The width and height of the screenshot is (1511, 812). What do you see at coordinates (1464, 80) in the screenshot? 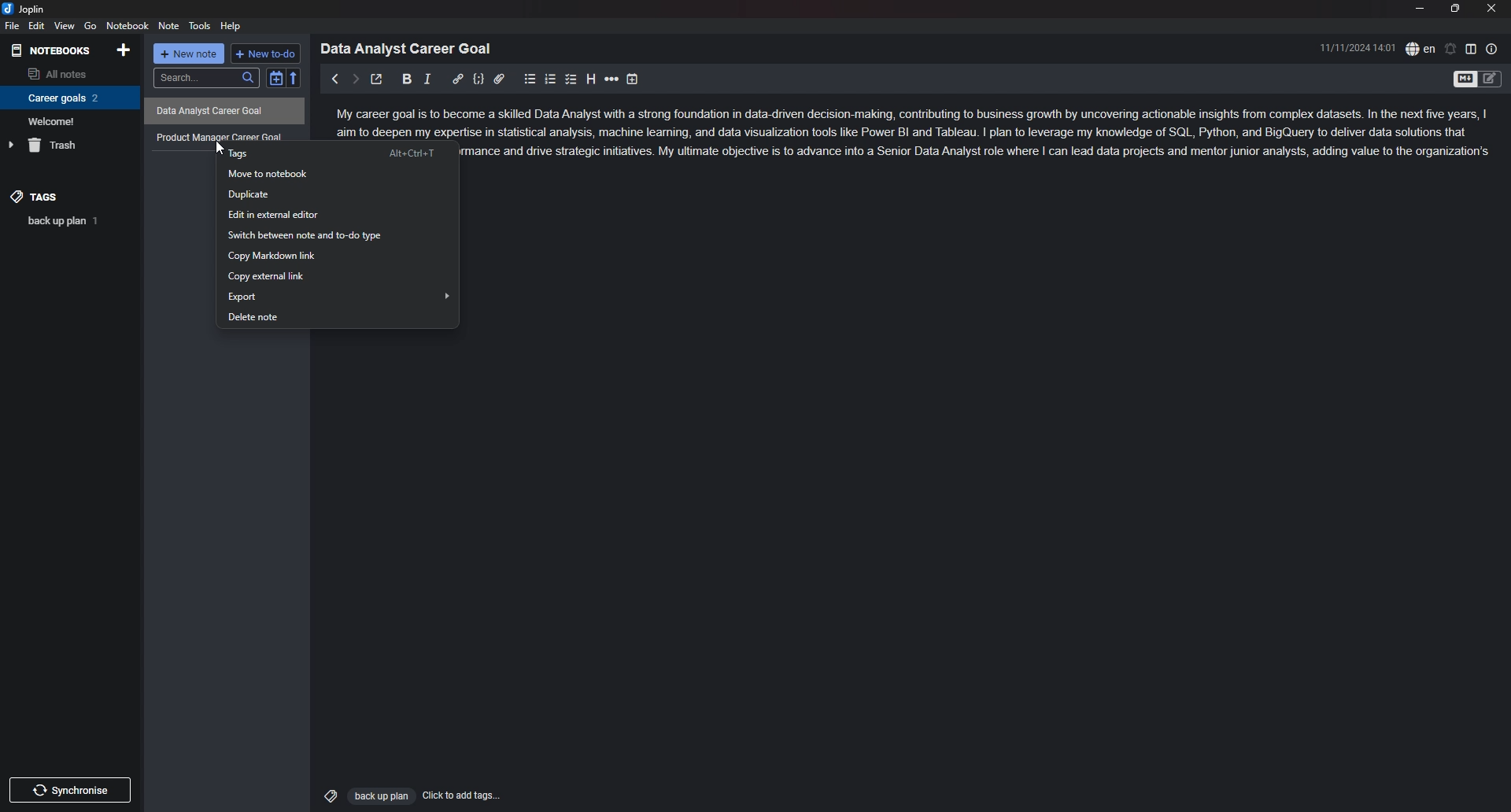
I see `toggle editor` at bounding box center [1464, 80].